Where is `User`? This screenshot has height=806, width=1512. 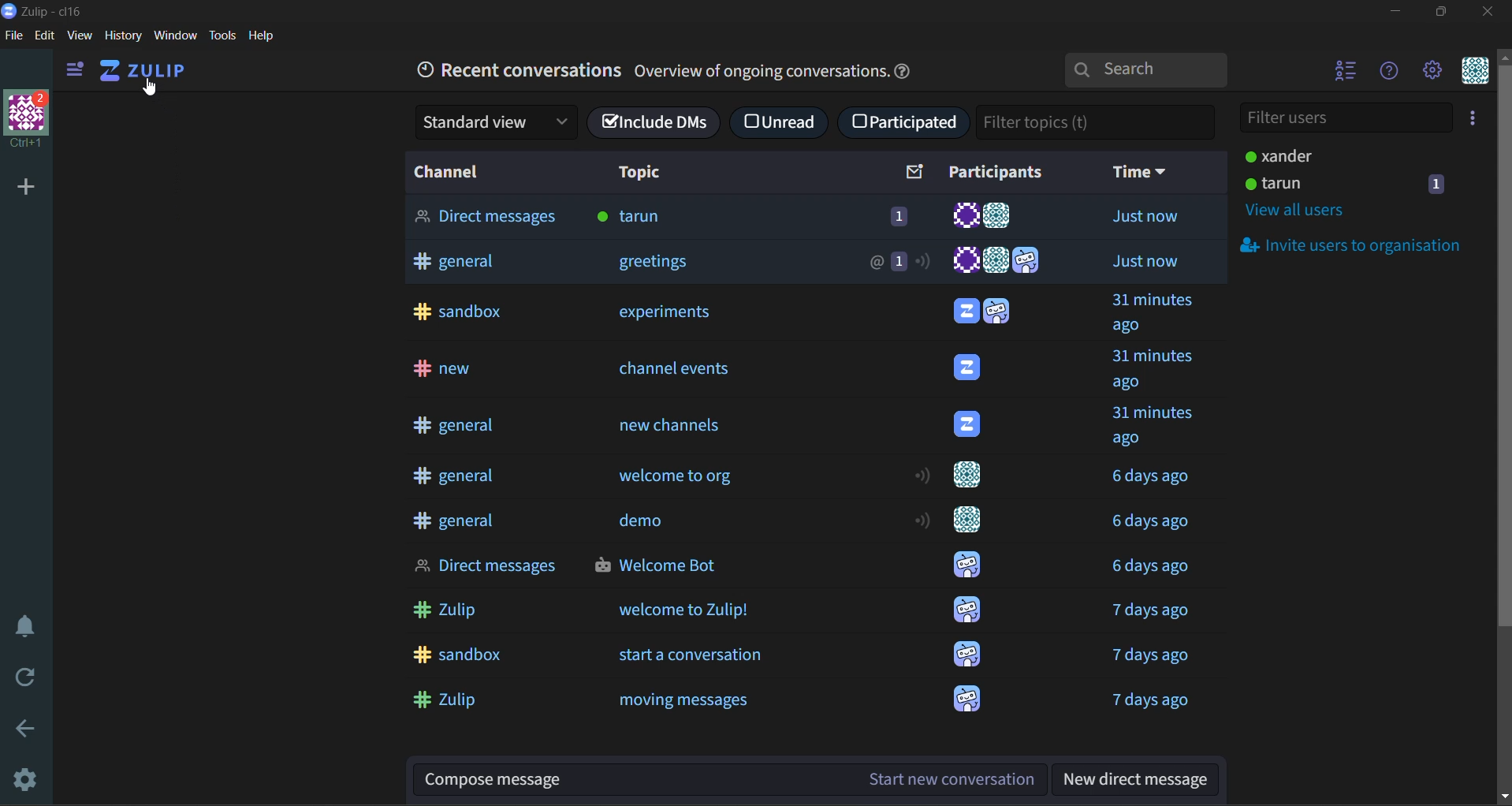 User is located at coordinates (963, 653).